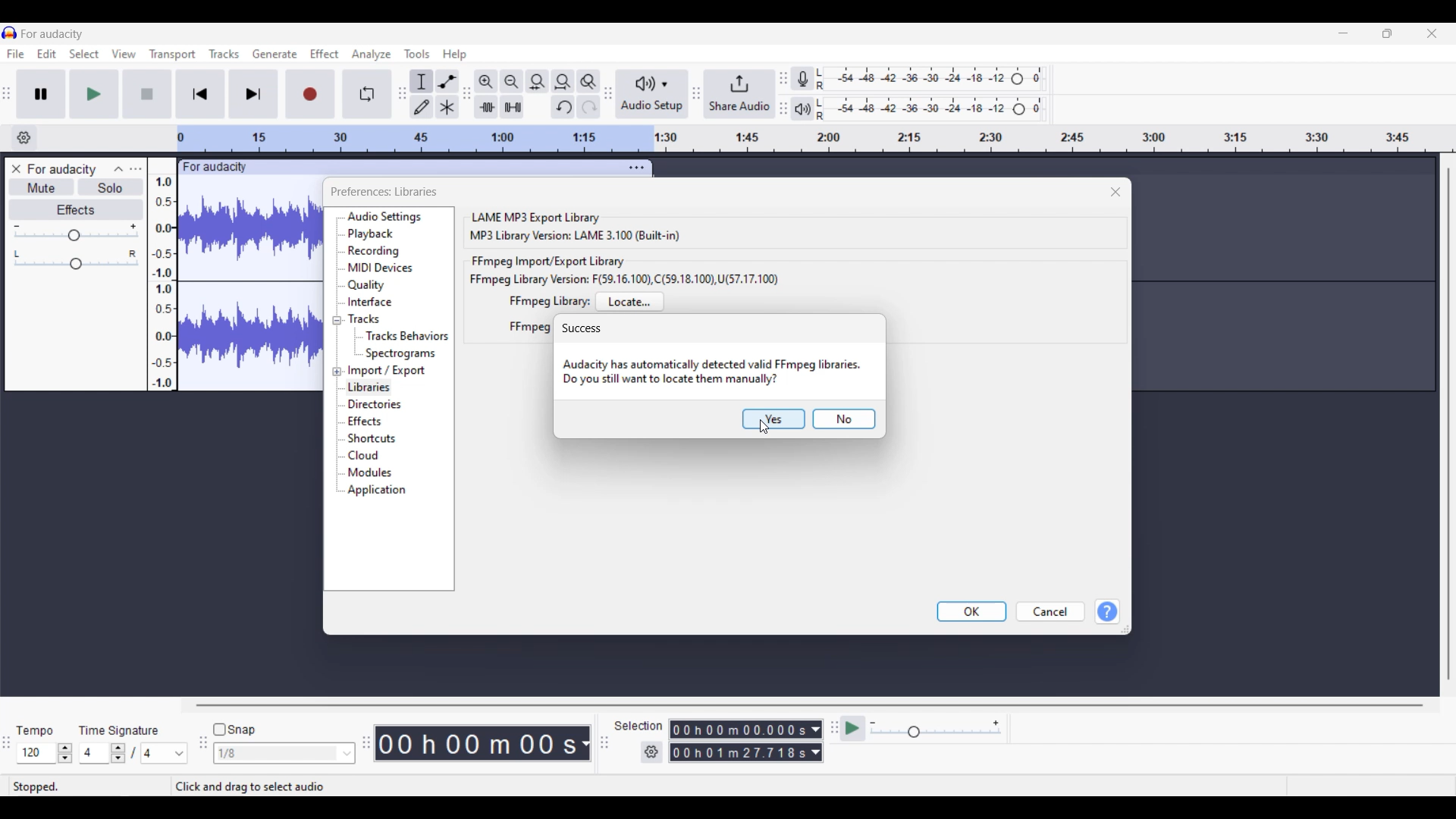  What do you see at coordinates (119, 169) in the screenshot?
I see `Collapse ` at bounding box center [119, 169].